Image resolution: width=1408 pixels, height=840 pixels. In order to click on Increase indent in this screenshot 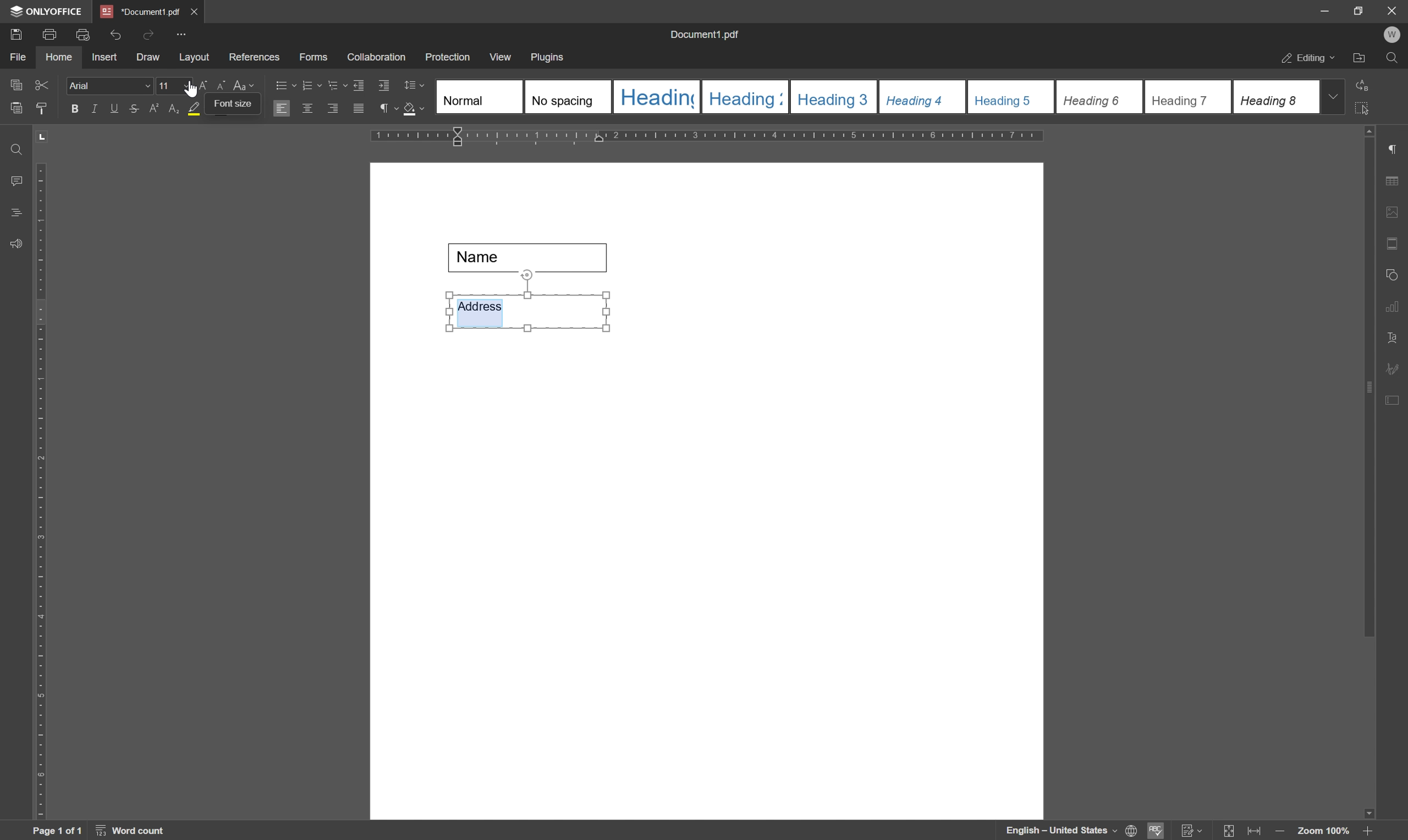, I will do `click(386, 87)`.